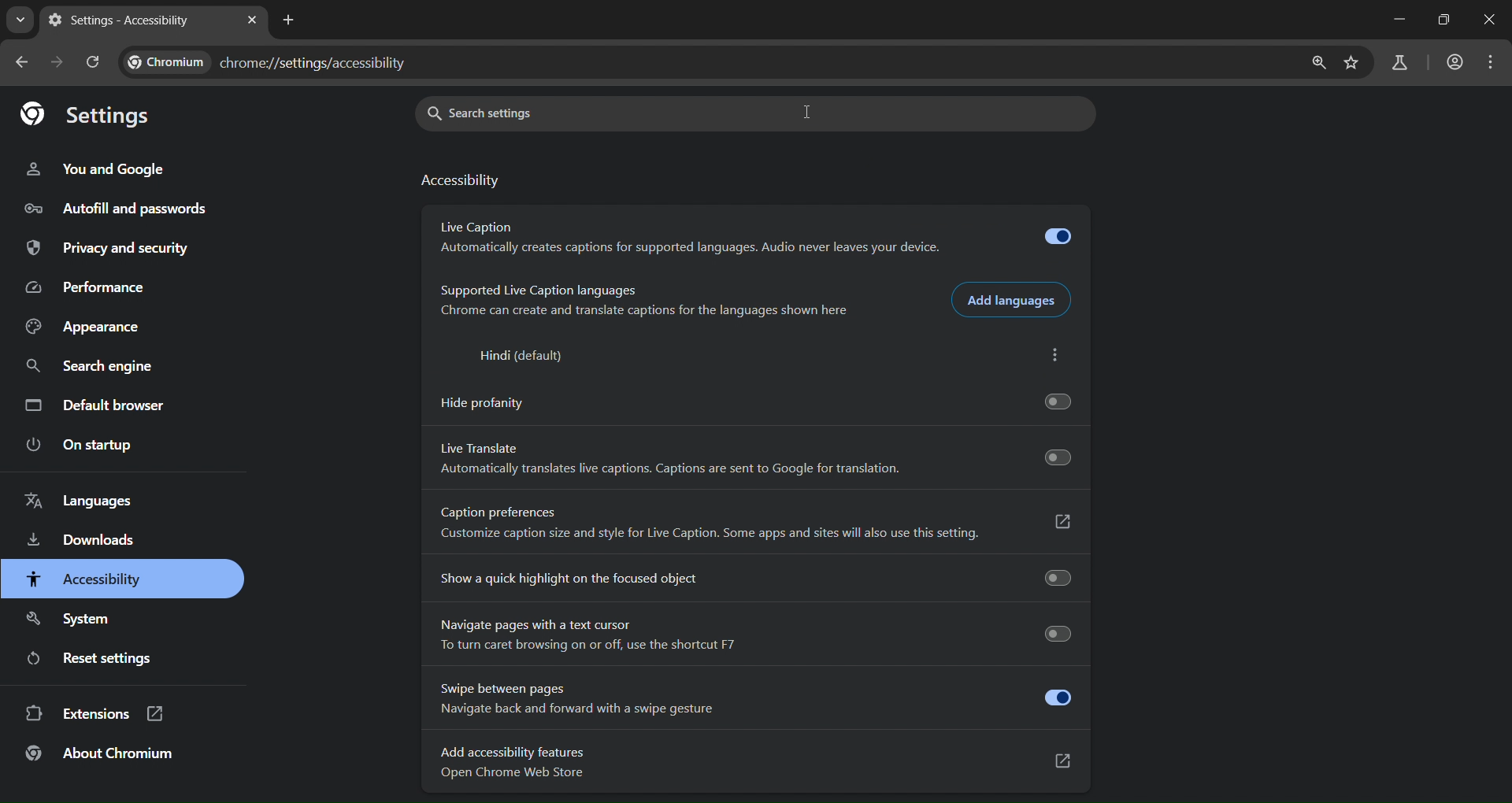  What do you see at coordinates (91, 117) in the screenshot?
I see `settings` at bounding box center [91, 117].